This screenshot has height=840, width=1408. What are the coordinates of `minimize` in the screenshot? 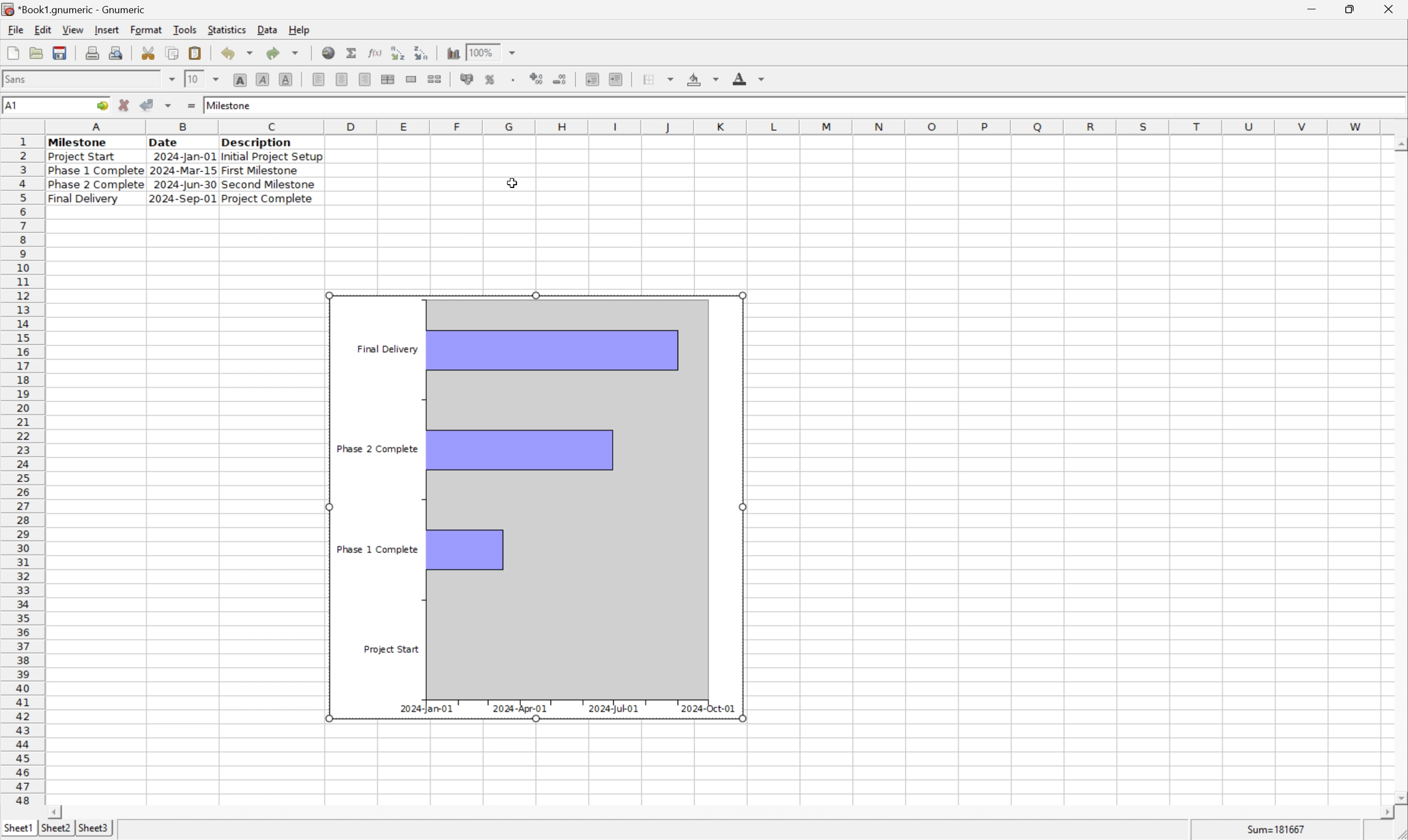 It's located at (1320, 7).